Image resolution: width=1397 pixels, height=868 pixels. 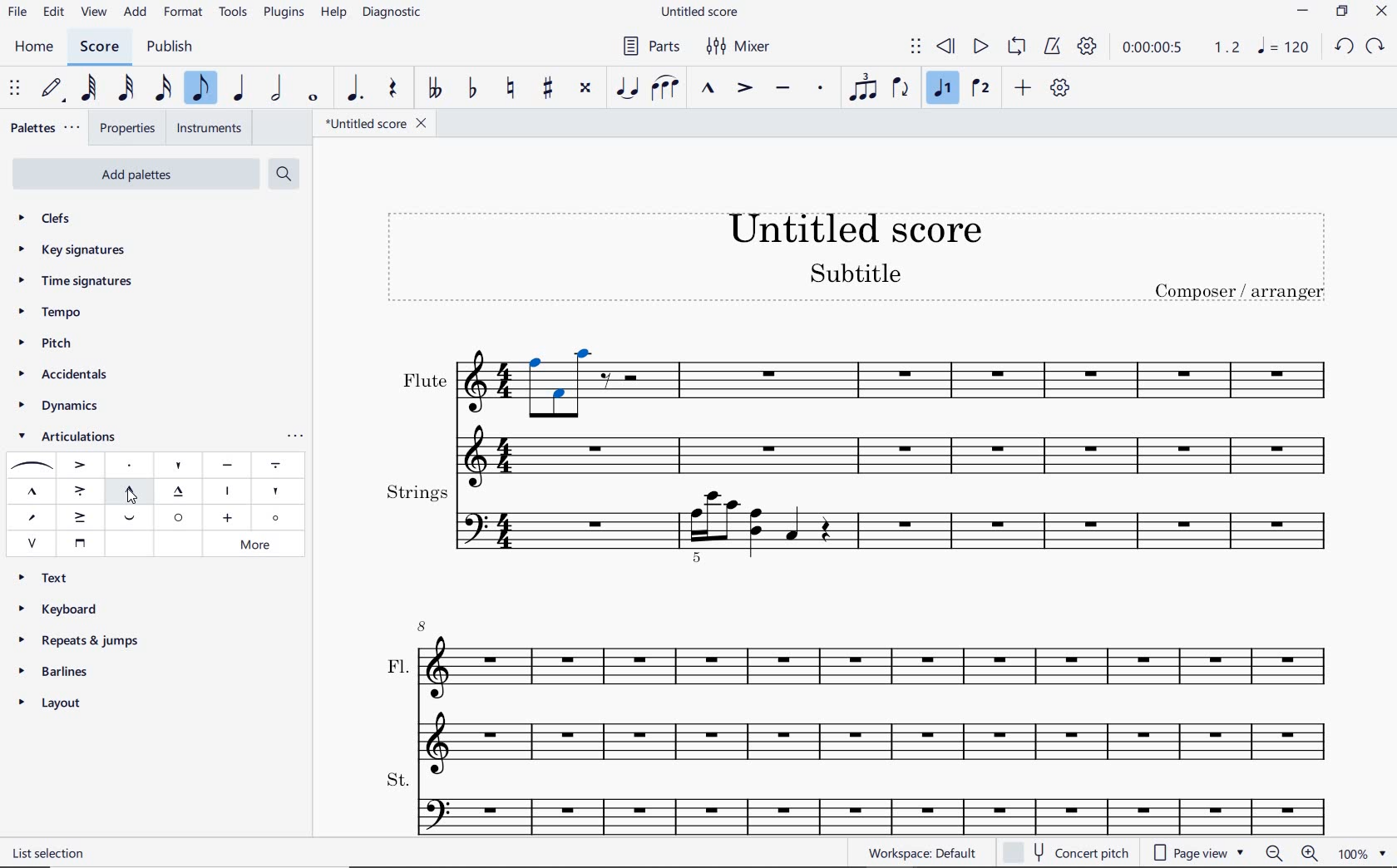 What do you see at coordinates (177, 517) in the screenshot?
I see `OPEN` at bounding box center [177, 517].